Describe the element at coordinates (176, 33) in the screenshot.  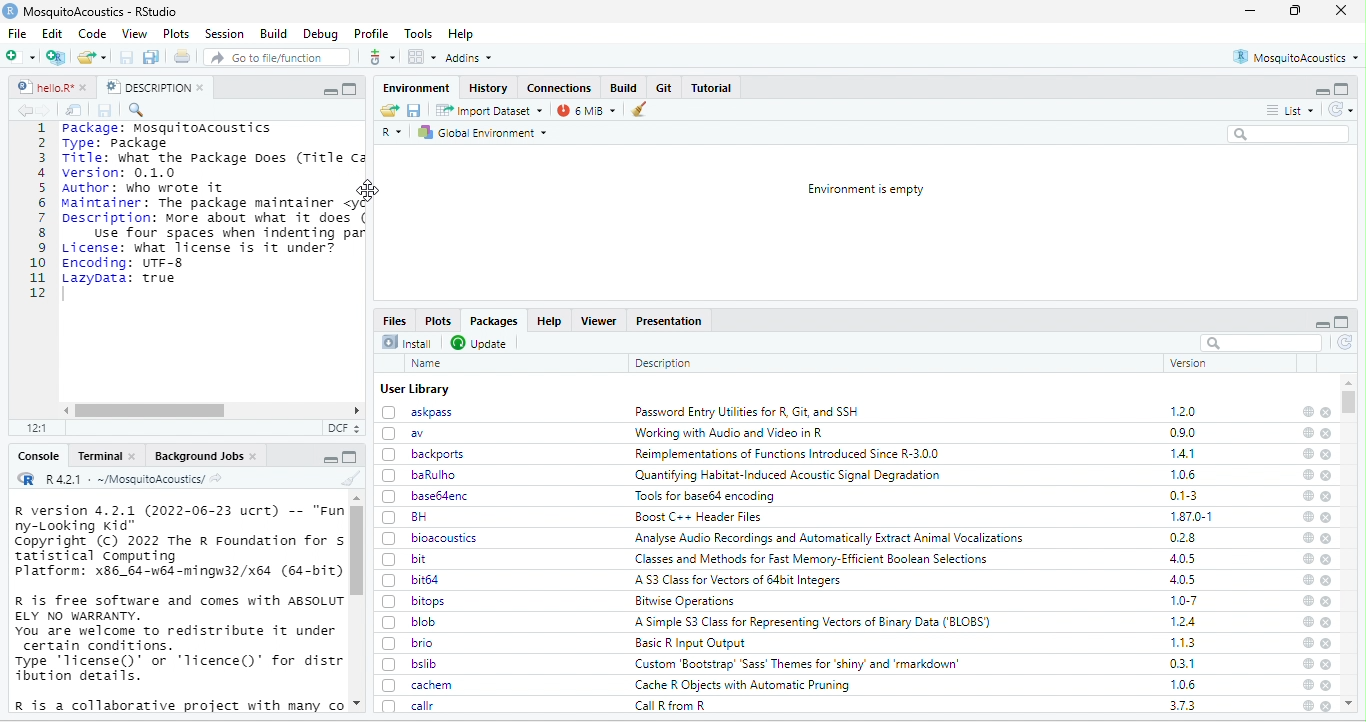
I see `Plots` at that location.